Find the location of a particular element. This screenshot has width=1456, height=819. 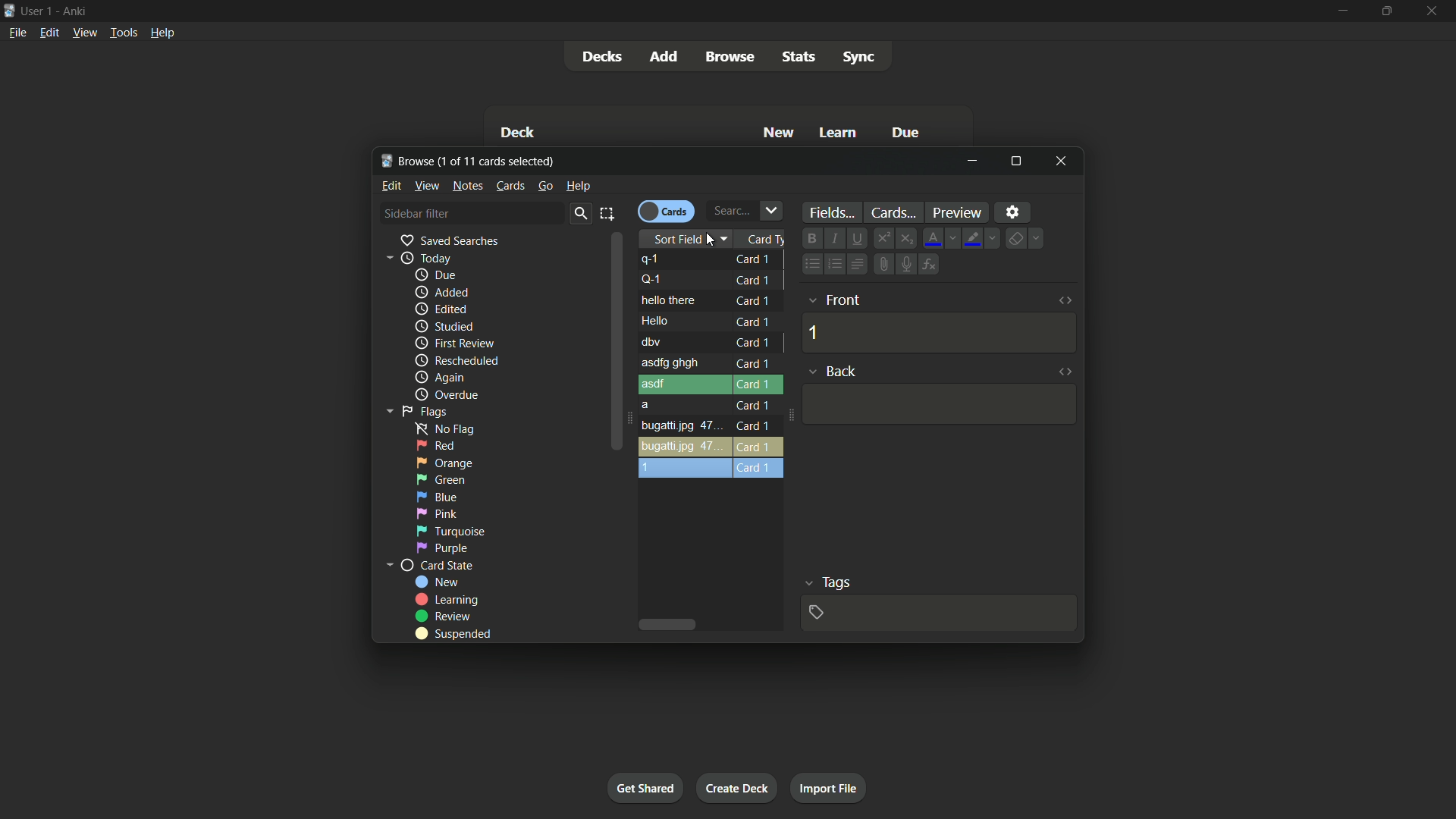

user 1 is located at coordinates (38, 11).